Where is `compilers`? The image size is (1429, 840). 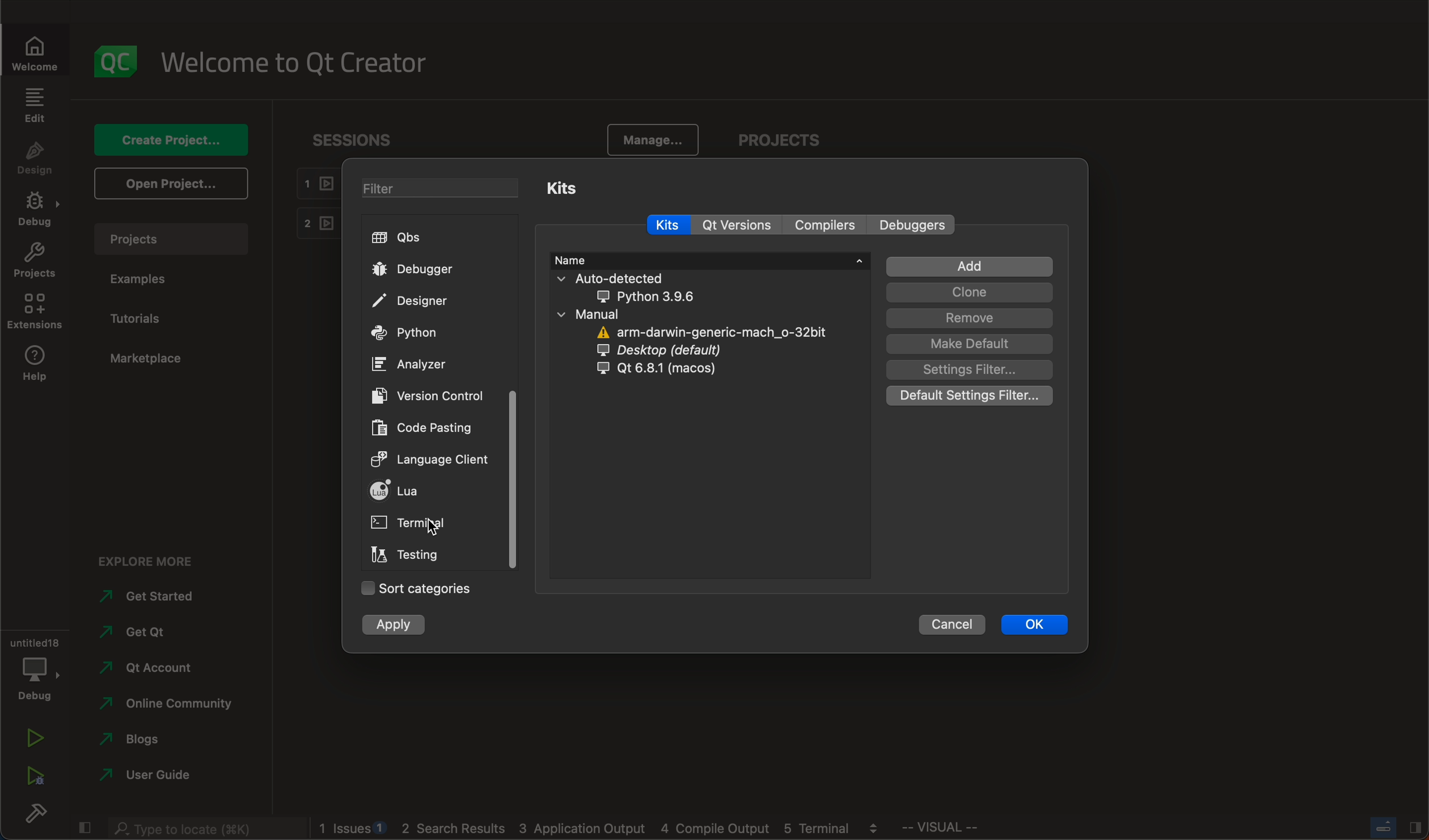
compilers is located at coordinates (825, 224).